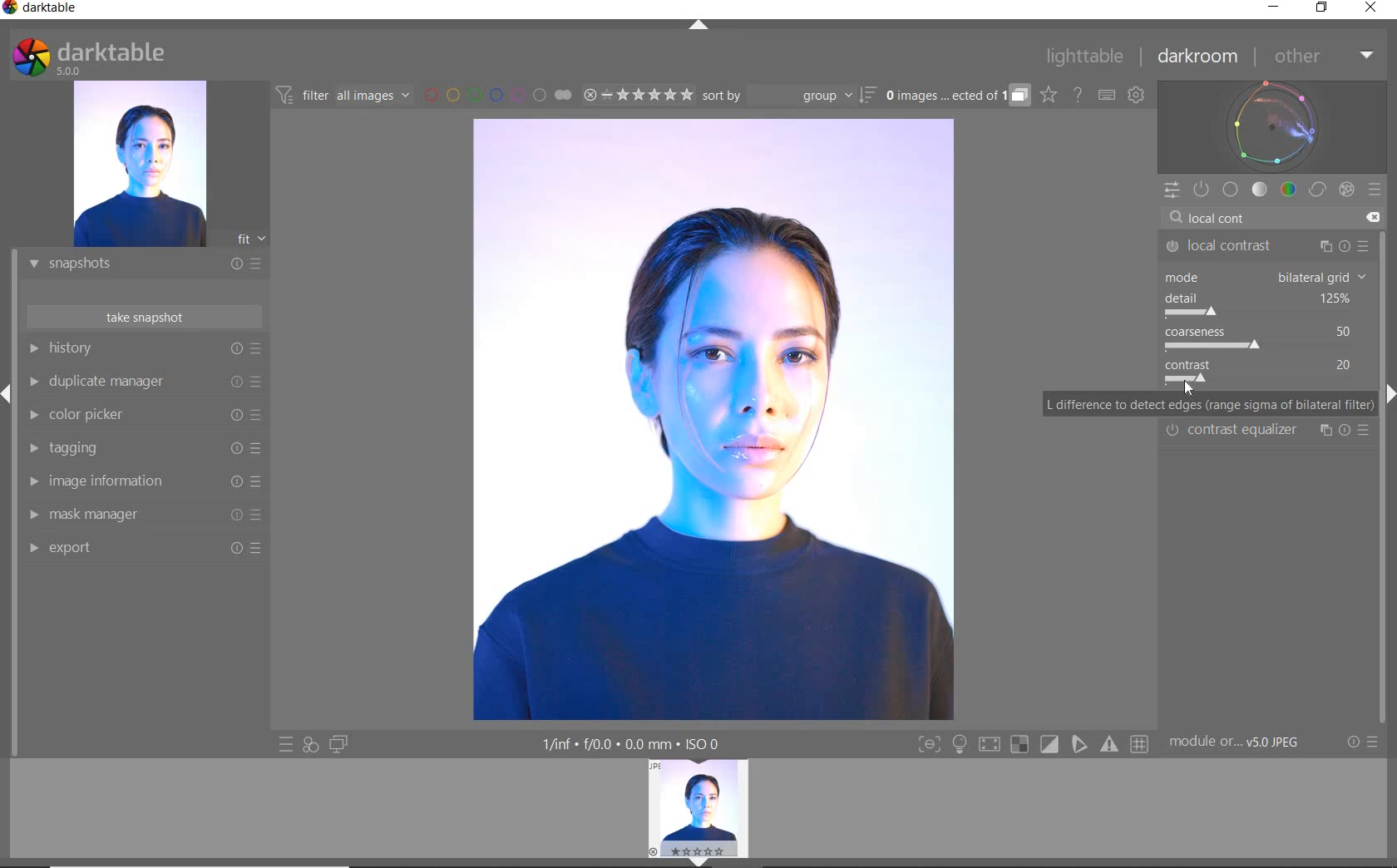  Describe the element at coordinates (698, 808) in the screenshot. I see `IMAGE PREVIEW` at that location.